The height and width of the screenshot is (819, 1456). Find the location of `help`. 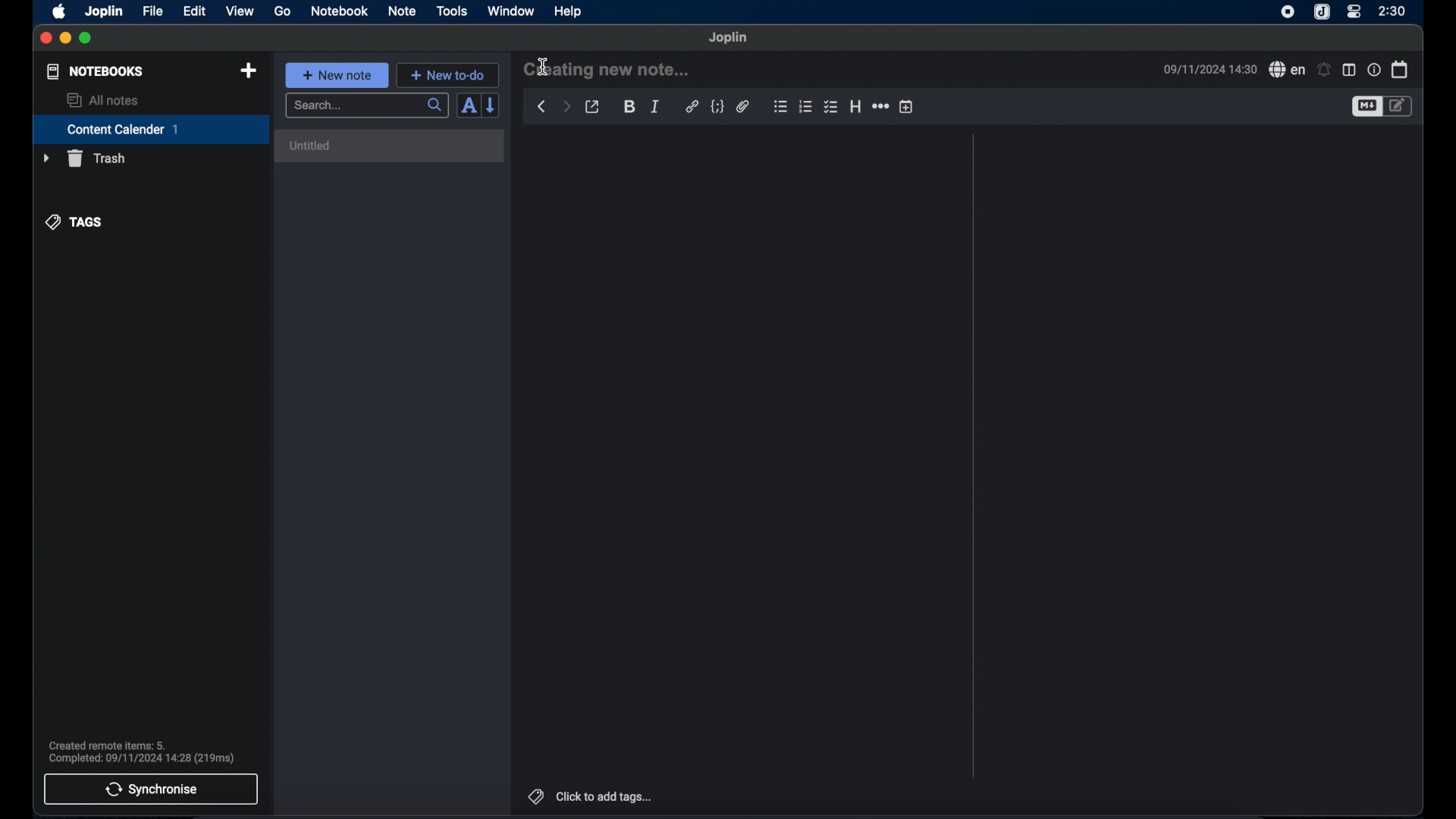

help is located at coordinates (570, 12).